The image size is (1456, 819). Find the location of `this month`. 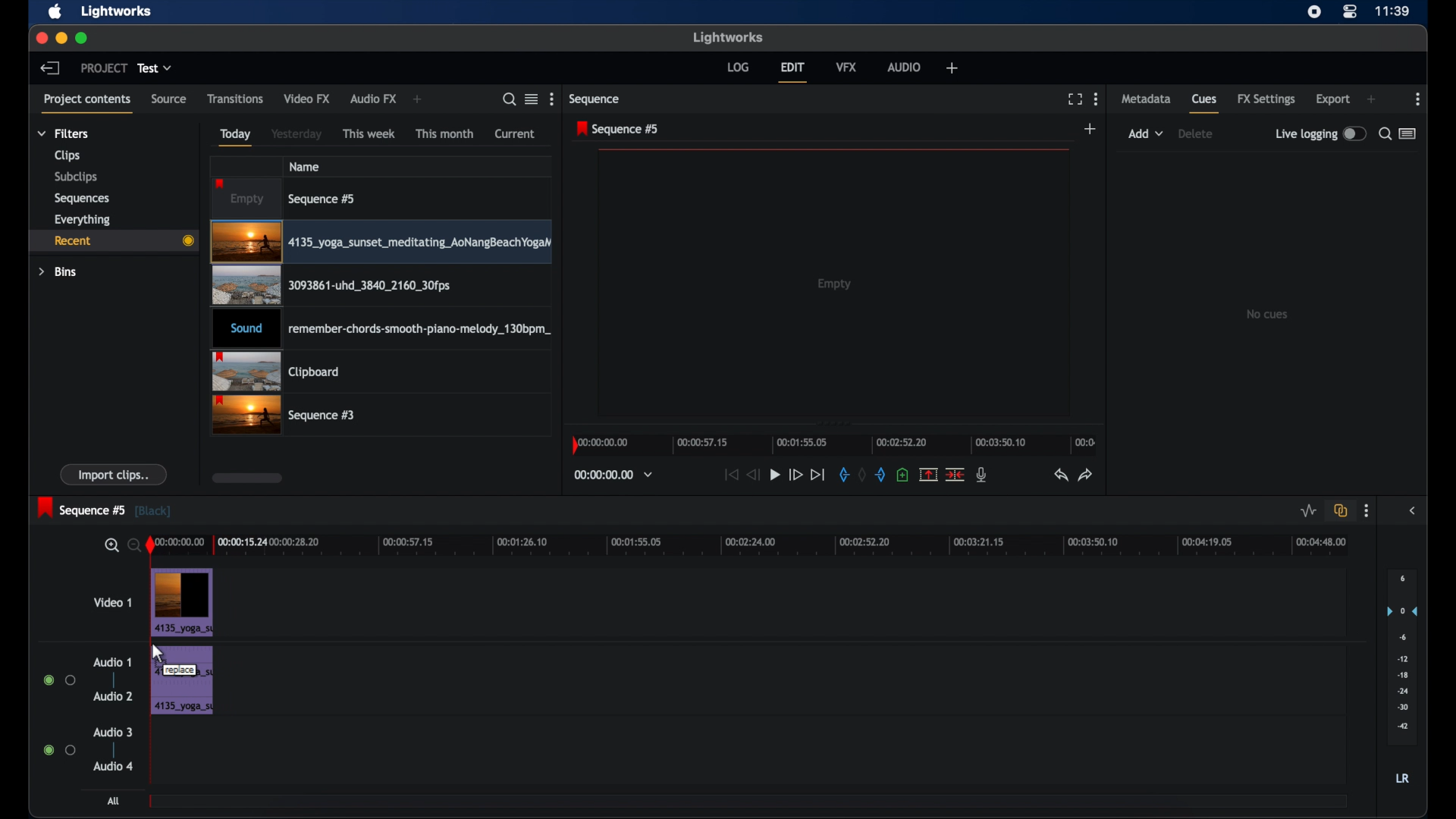

this month is located at coordinates (444, 133).